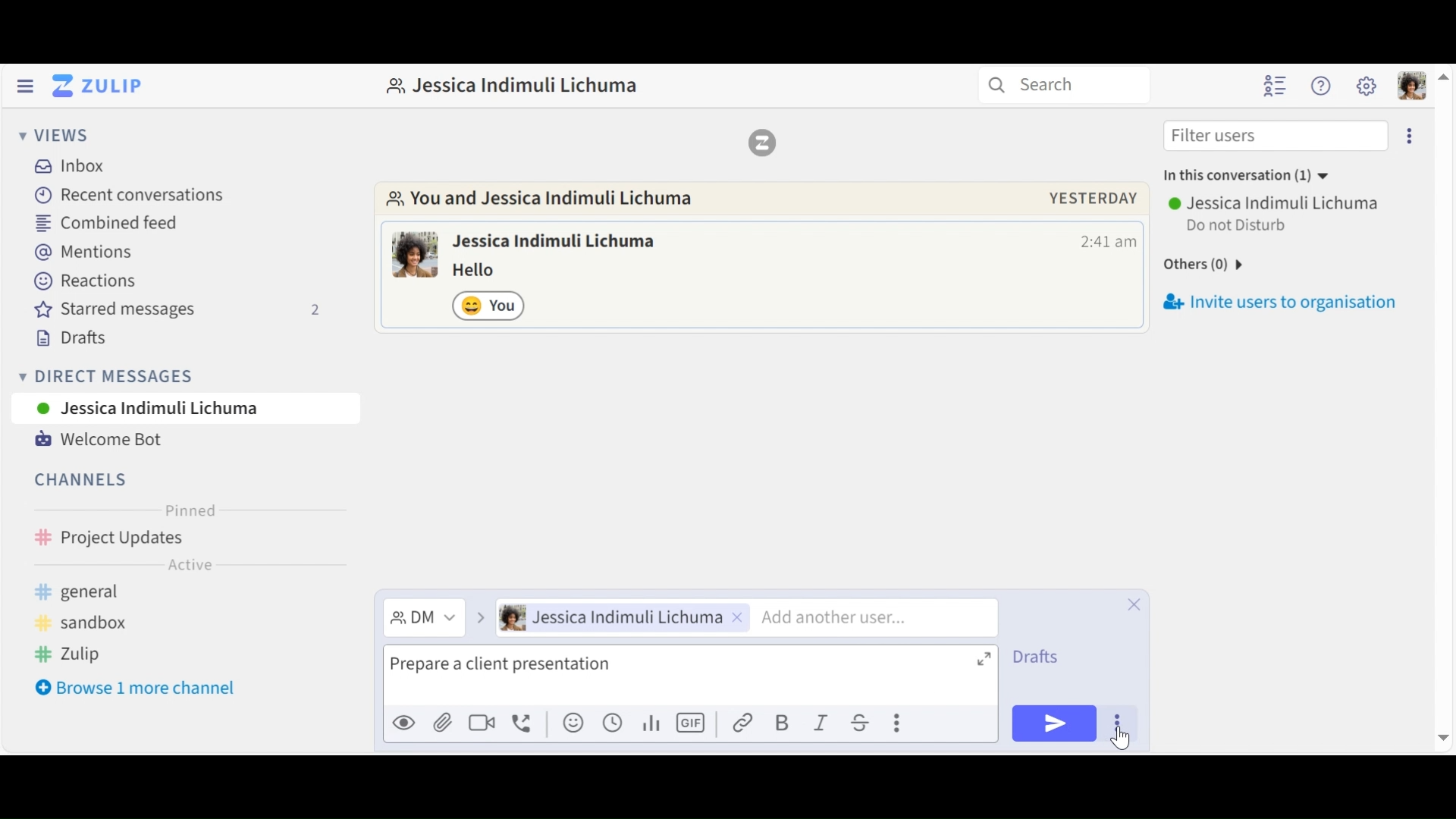 The width and height of the screenshot is (1456, 819). I want to click on Username, so click(1276, 202).